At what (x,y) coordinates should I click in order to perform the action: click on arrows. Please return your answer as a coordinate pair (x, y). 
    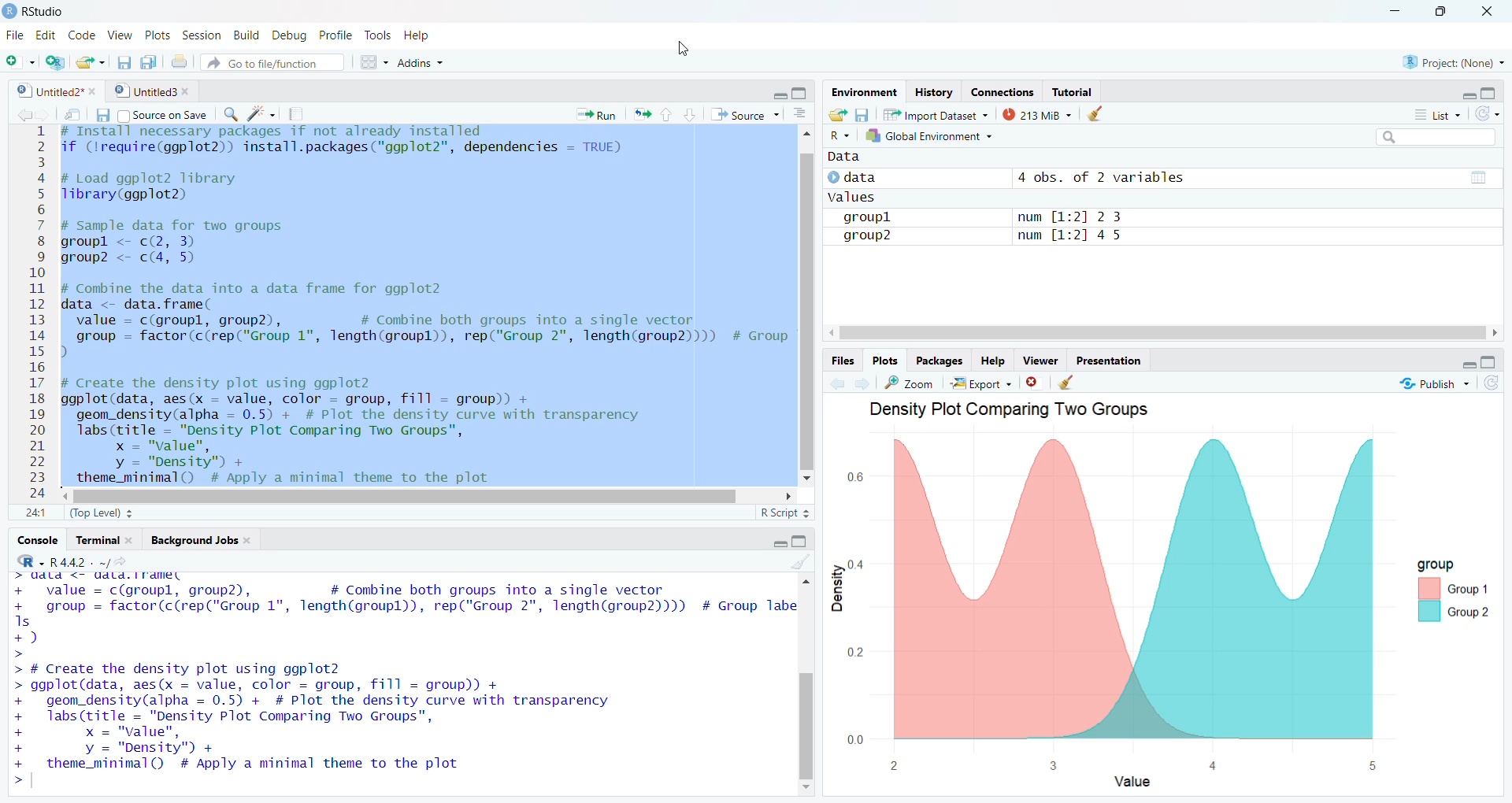
    Looking at the image, I should click on (639, 115).